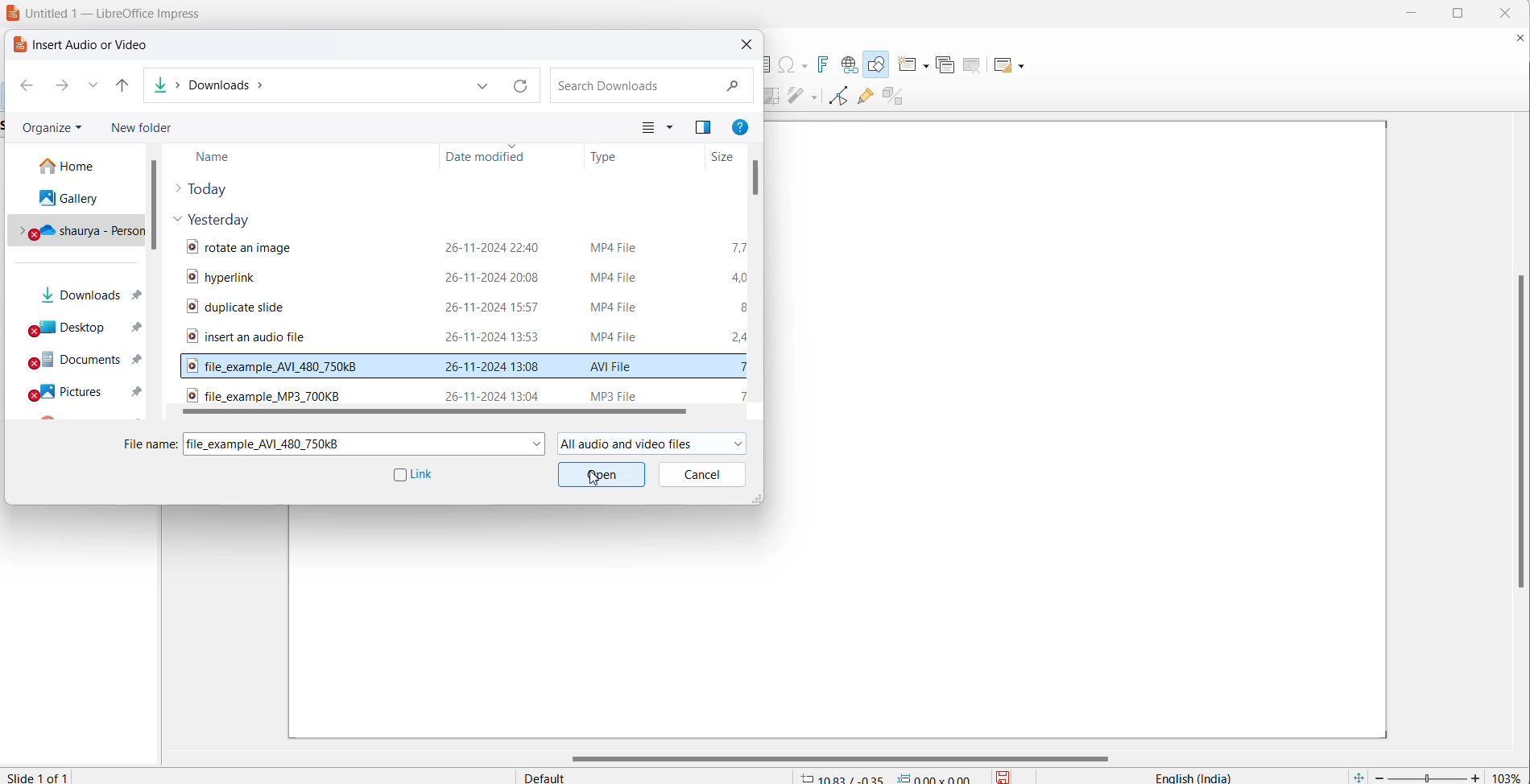 The width and height of the screenshot is (1530, 784). I want to click on horizontal scroll bar, so click(271, 412).